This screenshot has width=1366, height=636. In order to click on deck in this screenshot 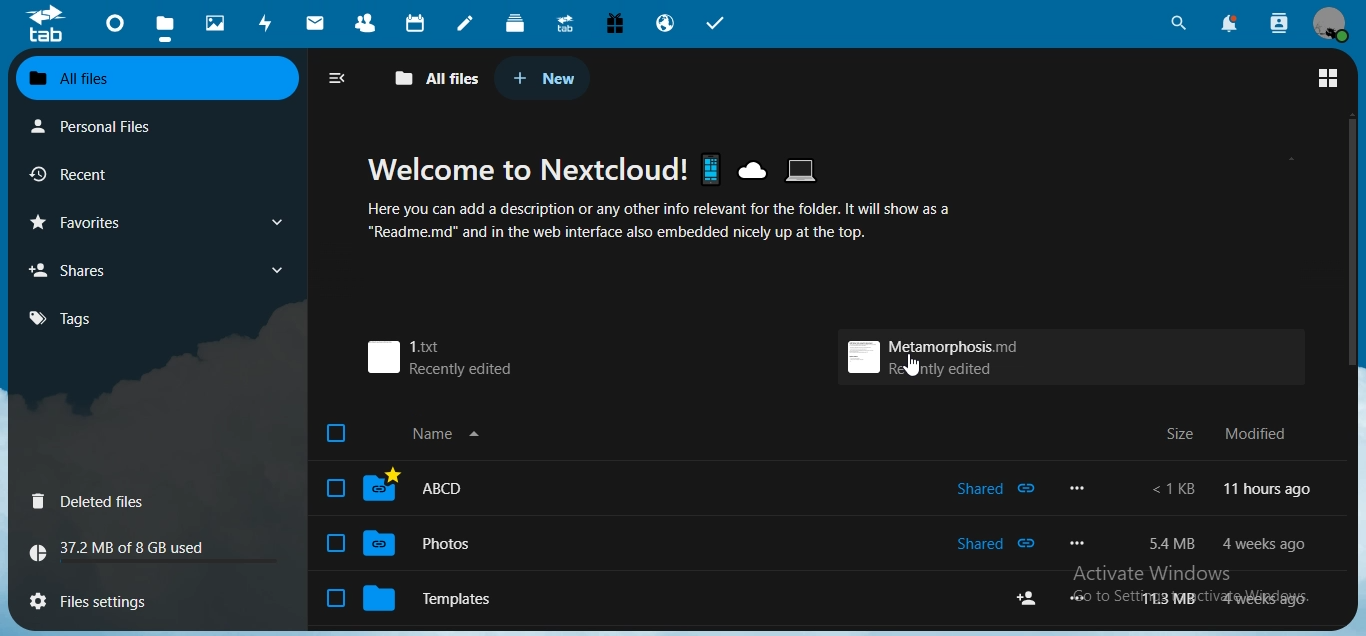, I will do `click(517, 22)`.